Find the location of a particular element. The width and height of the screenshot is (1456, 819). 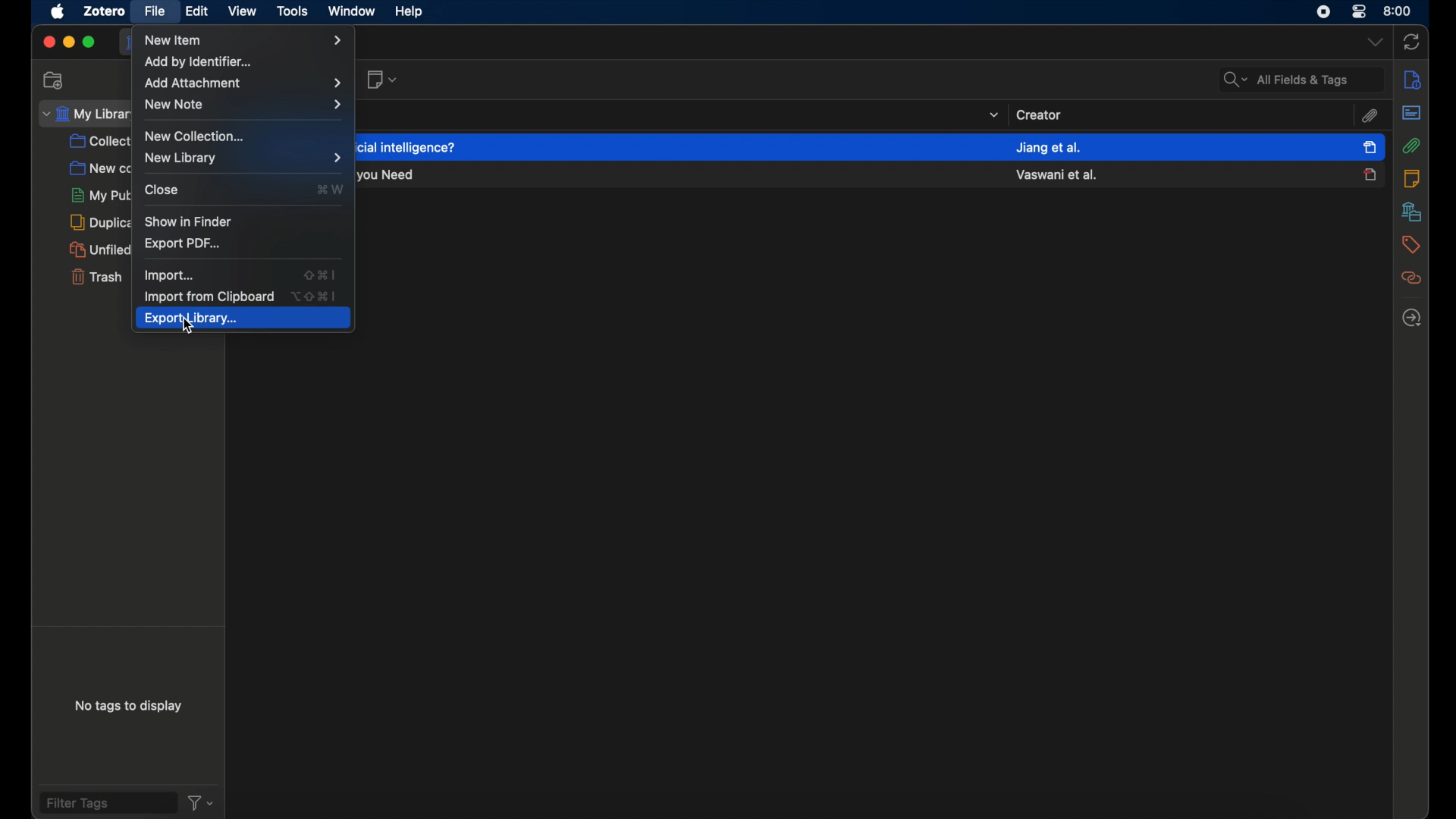

view is located at coordinates (243, 11).